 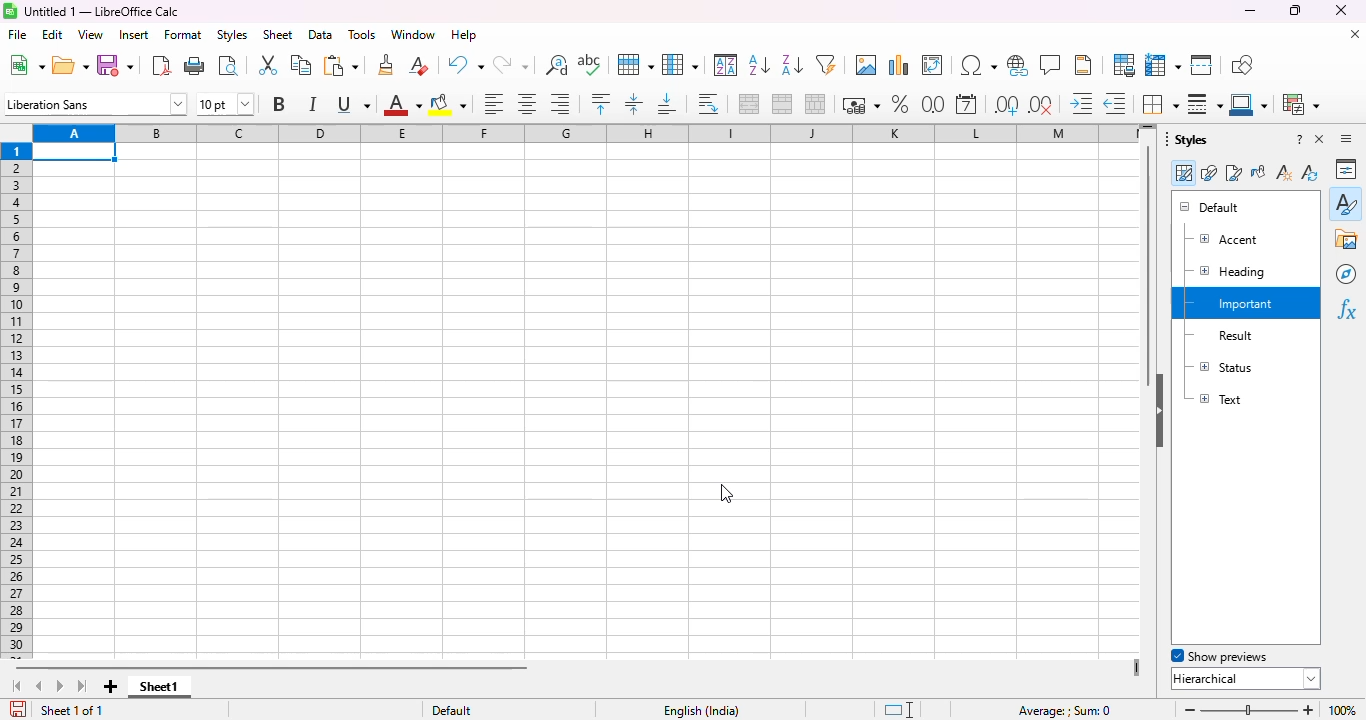 I want to click on background color, so click(x=448, y=104).